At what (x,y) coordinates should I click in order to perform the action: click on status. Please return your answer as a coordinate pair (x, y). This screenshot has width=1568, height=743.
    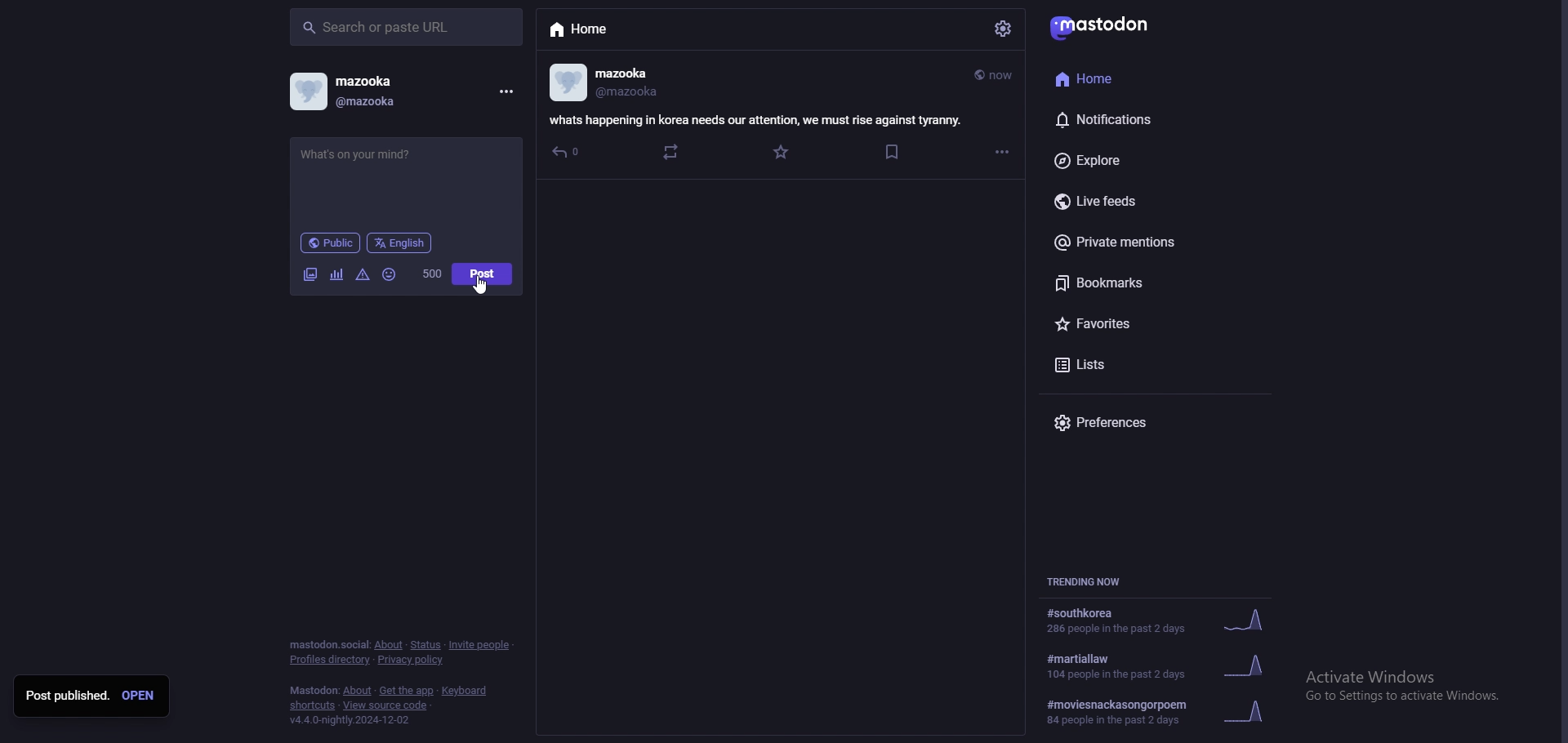
    Looking at the image, I should click on (424, 646).